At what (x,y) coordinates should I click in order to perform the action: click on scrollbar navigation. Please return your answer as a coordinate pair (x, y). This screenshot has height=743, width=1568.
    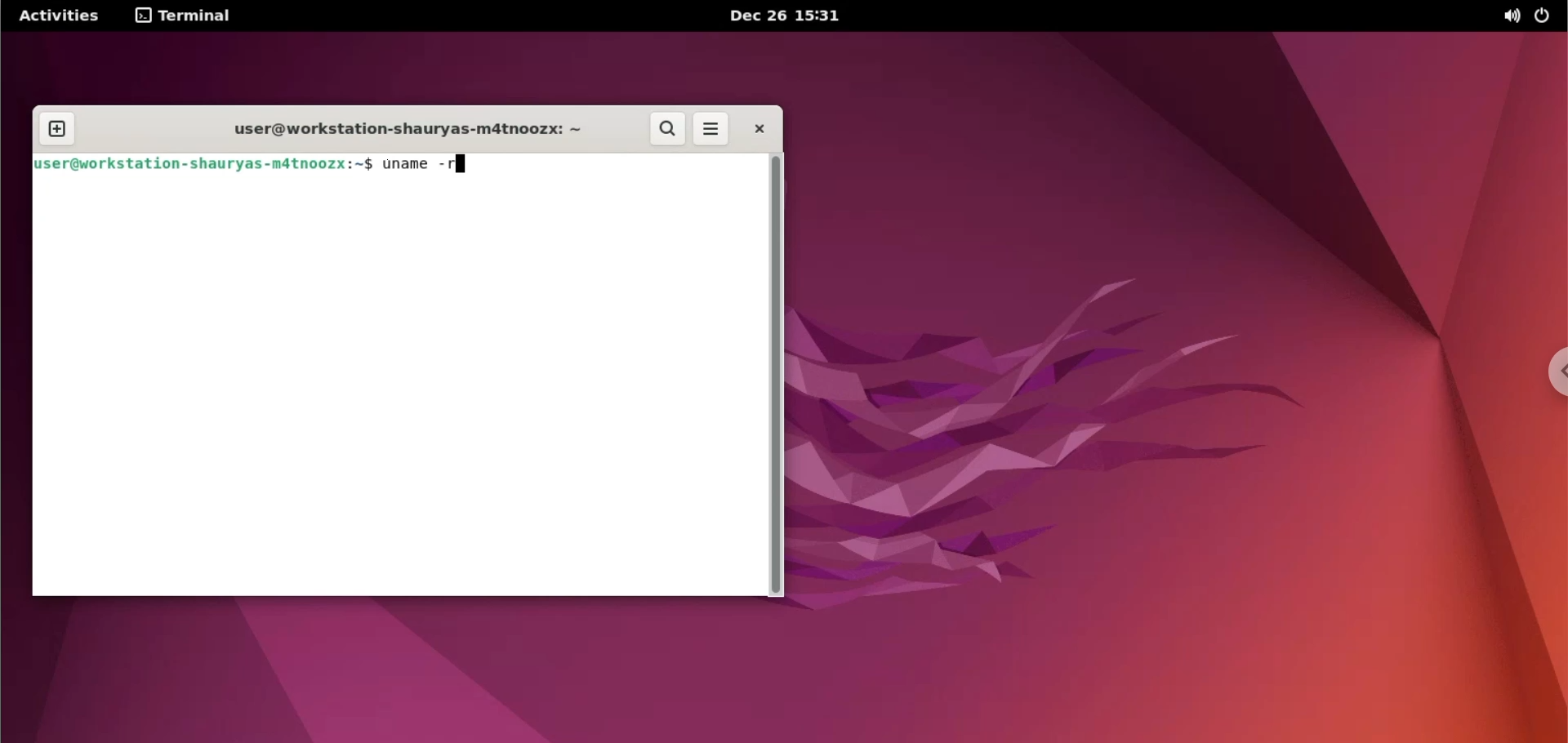
    Looking at the image, I should click on (775, 374).